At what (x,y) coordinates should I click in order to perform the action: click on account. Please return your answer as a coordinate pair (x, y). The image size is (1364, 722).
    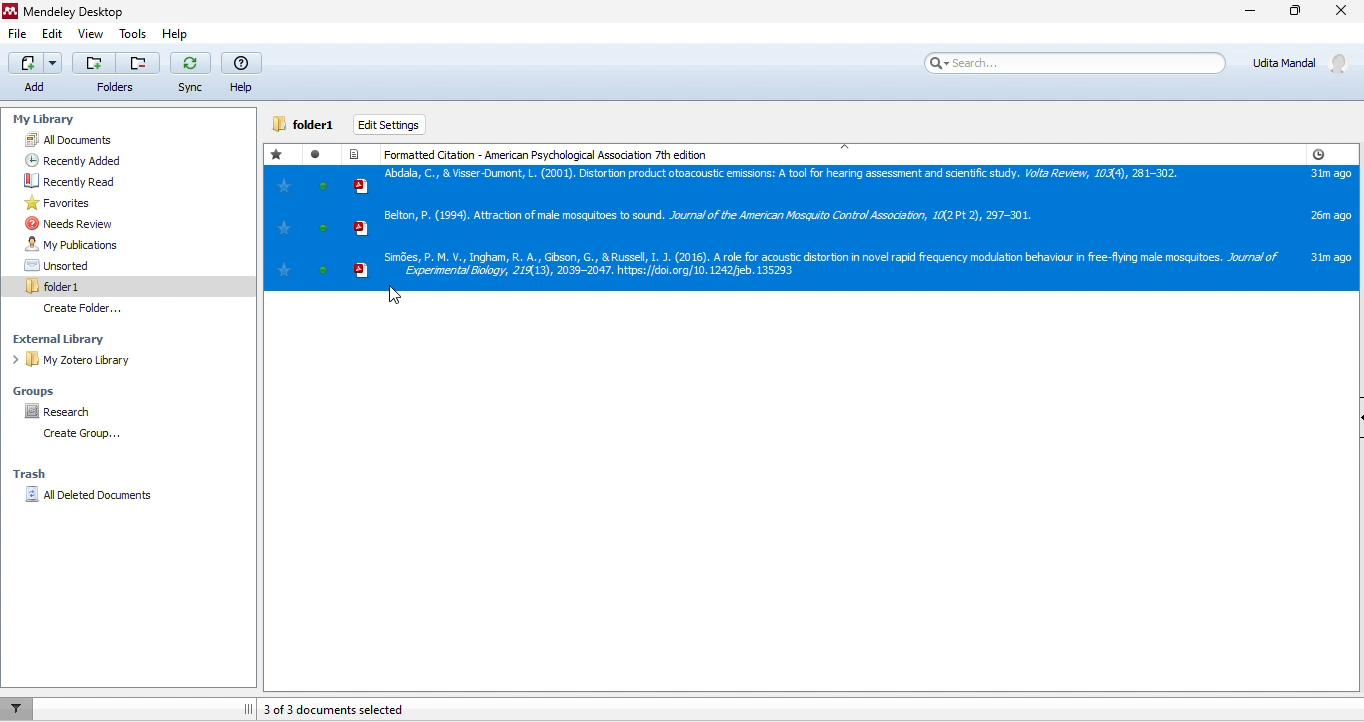
    Looking at the image, I should click on (1303, 63).